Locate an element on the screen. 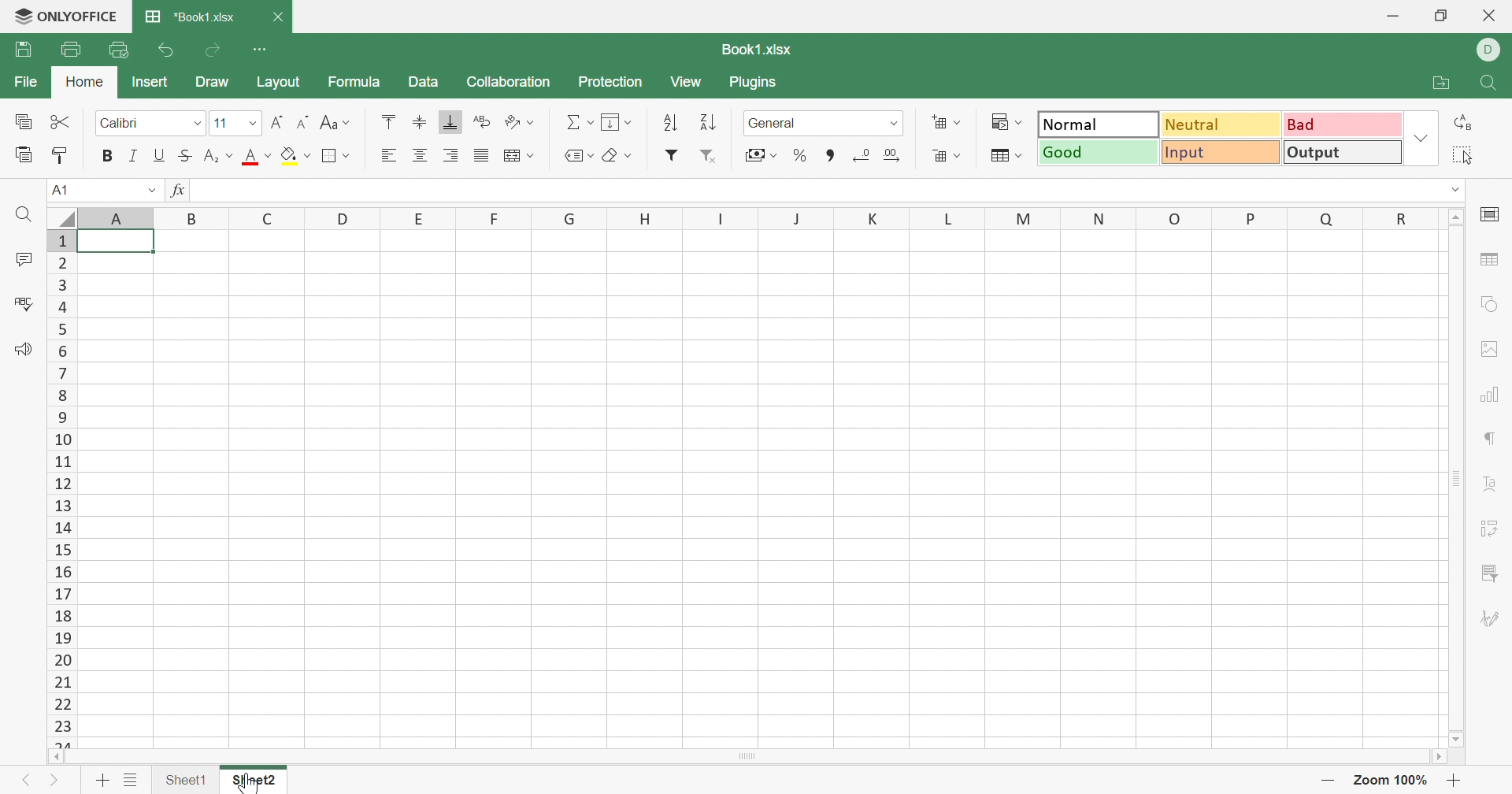  Restore Down is located at coordinates (1443, 13).